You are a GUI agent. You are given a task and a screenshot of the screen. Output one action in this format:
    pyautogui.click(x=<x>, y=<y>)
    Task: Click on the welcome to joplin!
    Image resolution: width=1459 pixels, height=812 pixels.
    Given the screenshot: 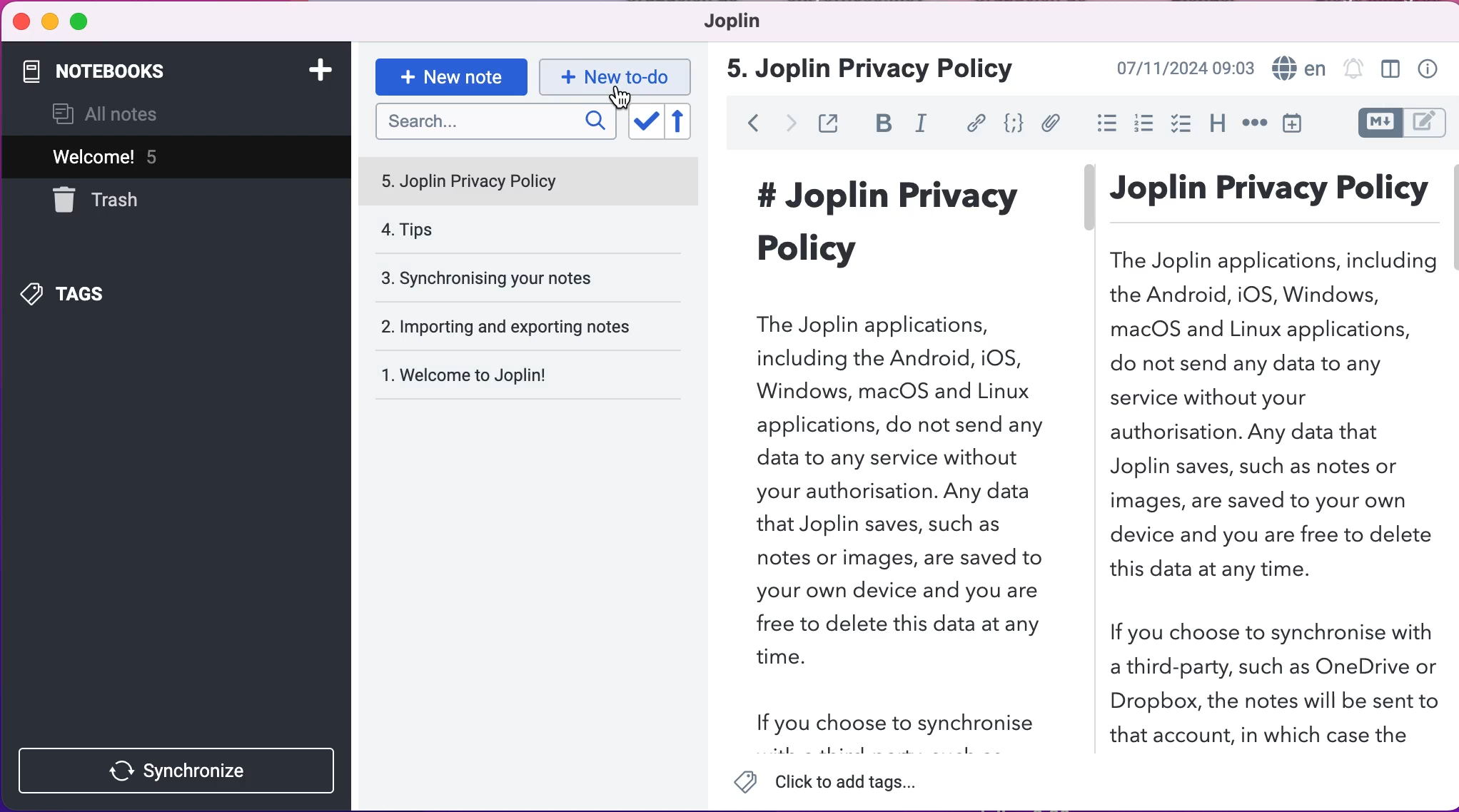 What is the action you would take?
    pyautogui.click(x=495, y=377)
    